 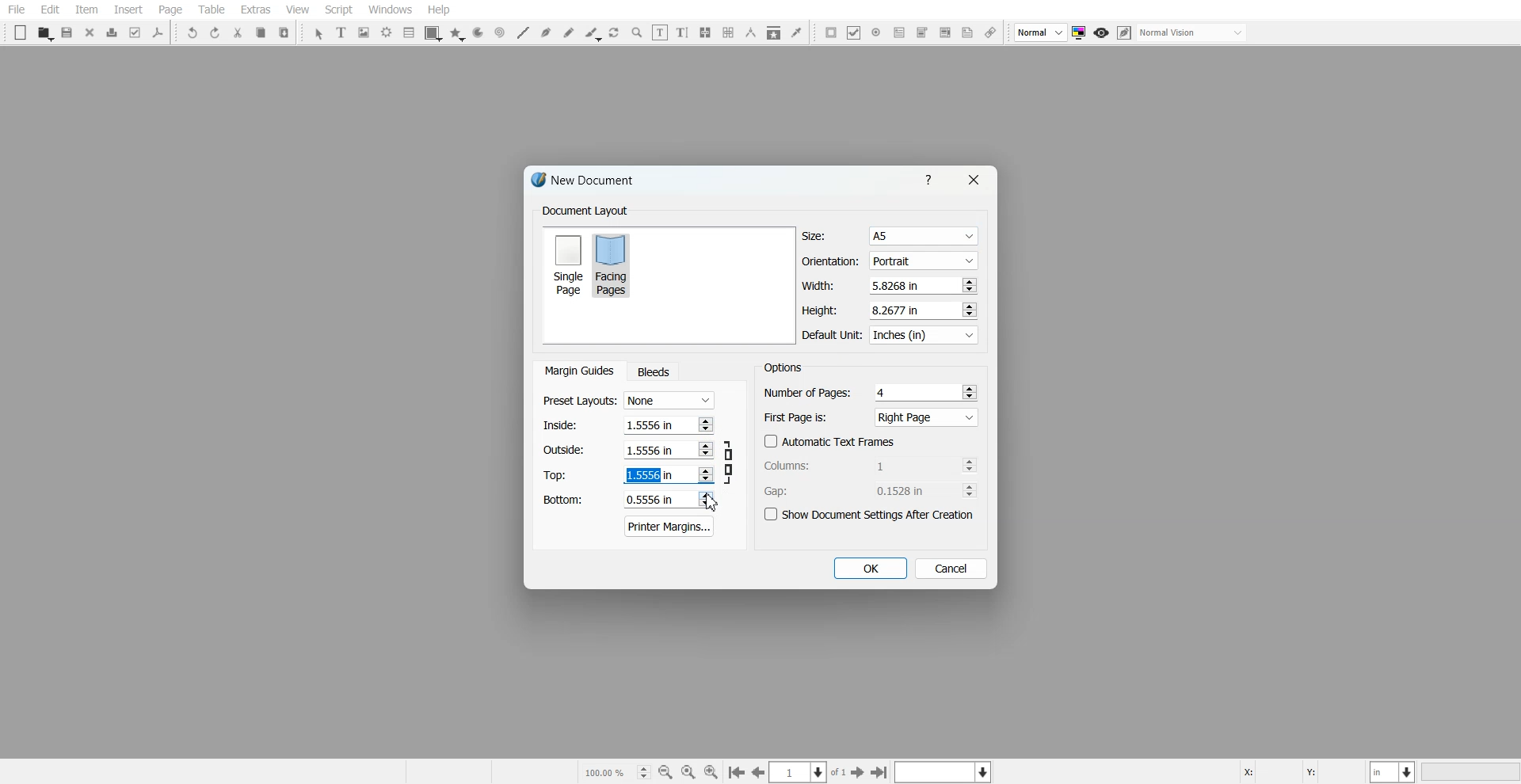 What do you see at coordinates (711, 502) in the screenshot?
I see `Cursor` at bounding box center [711, 502].